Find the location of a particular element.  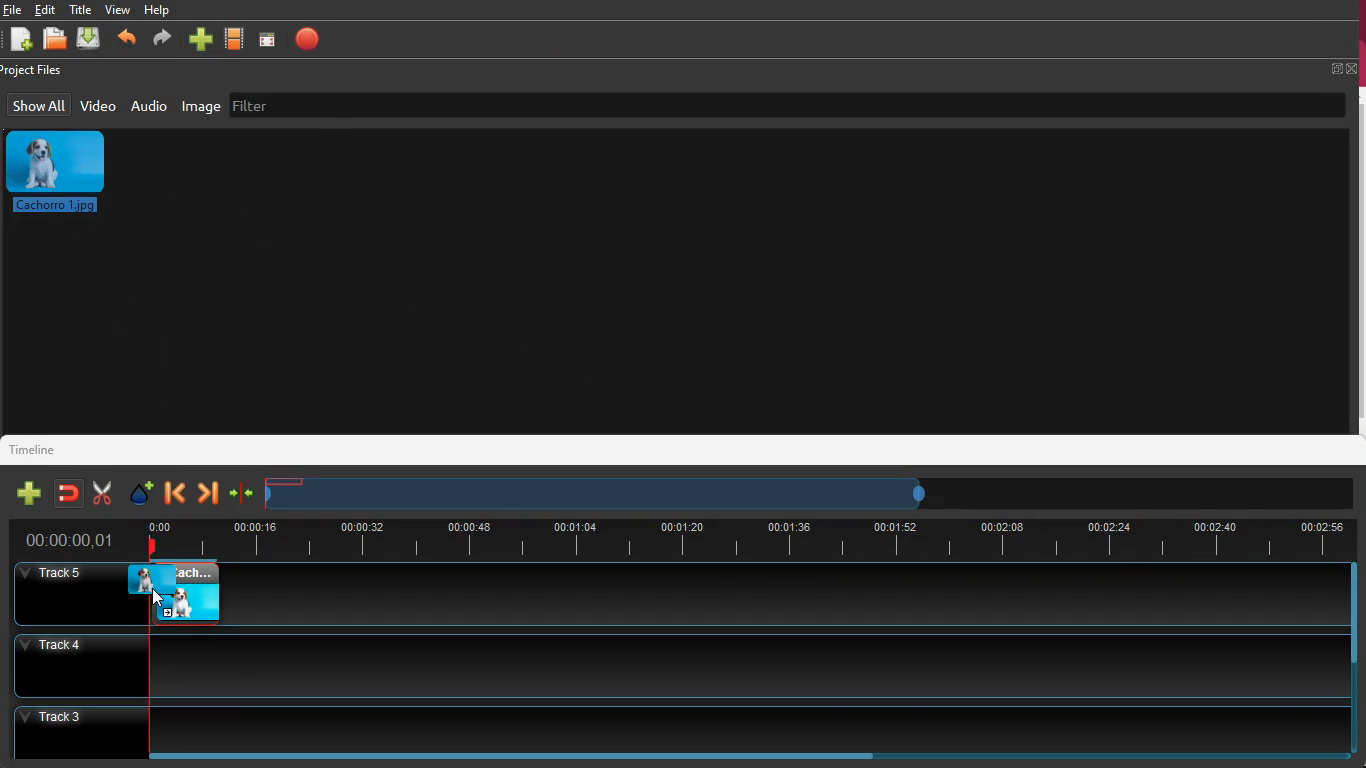

scroll bar is located at coordinates (1350, 614).